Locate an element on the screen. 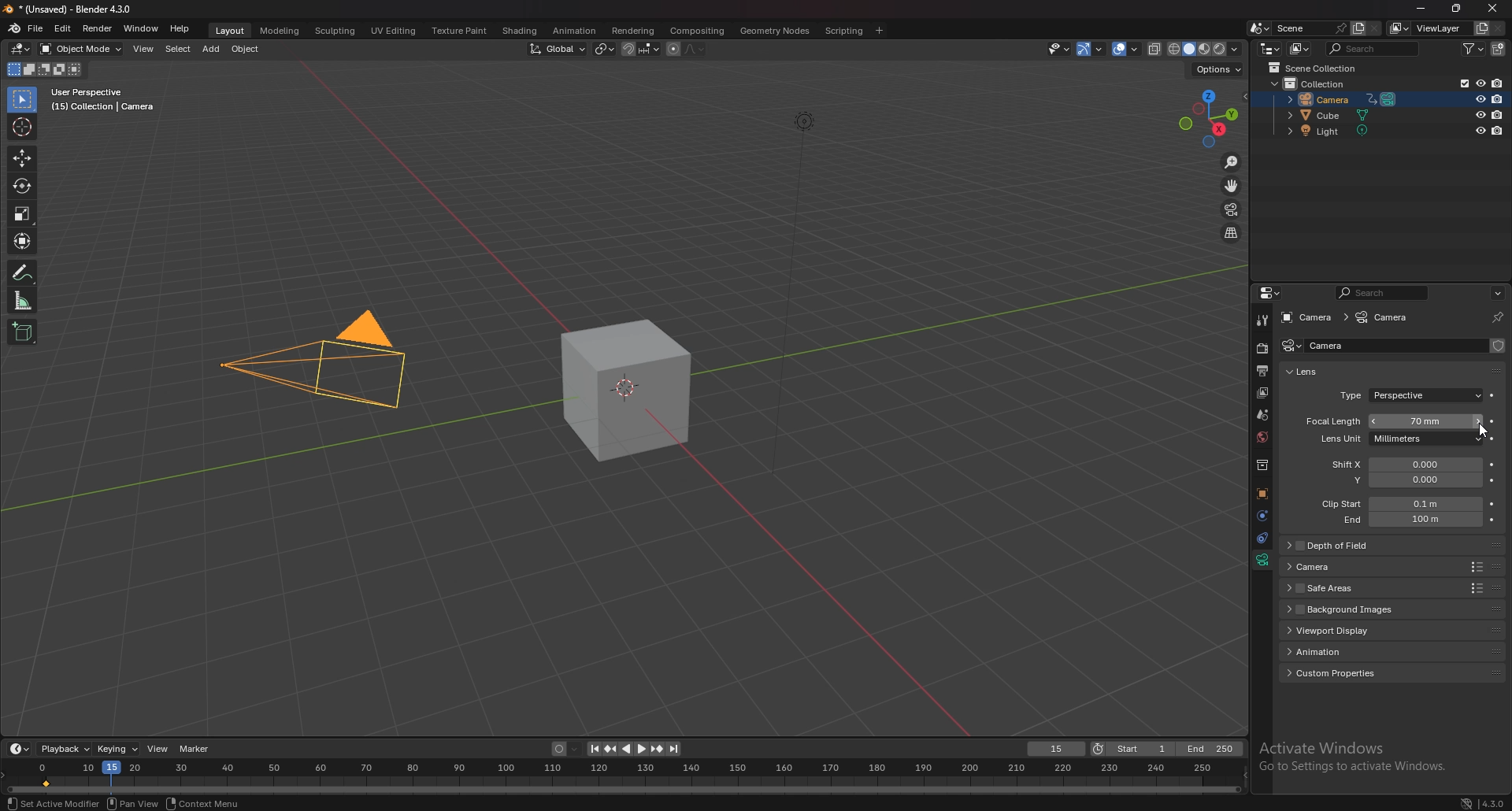 This screenshot has height=811, width=1512. jump to endpoint is located at coordinates (590, 749).